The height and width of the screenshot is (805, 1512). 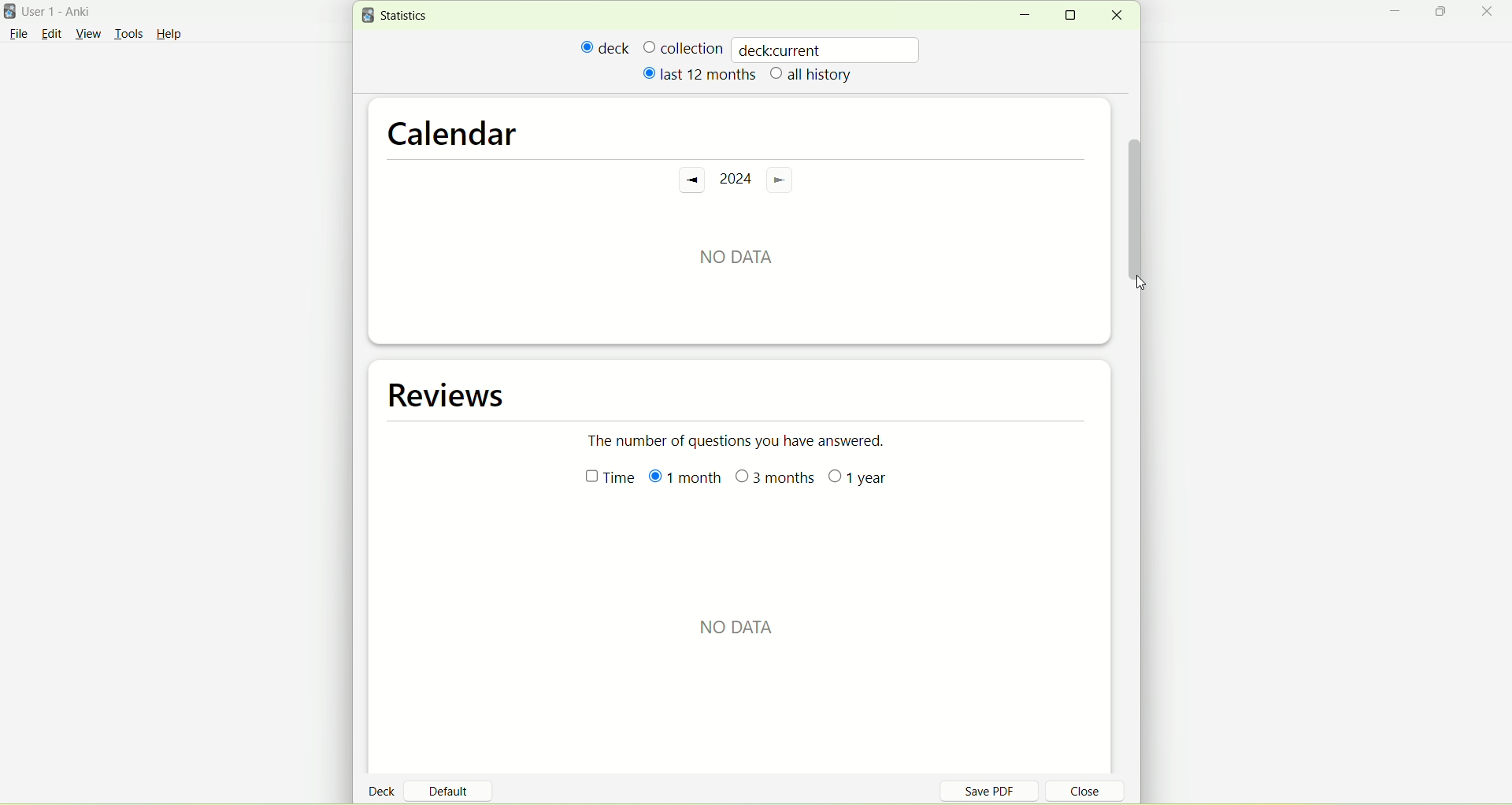 I want to click on last 12 months, so click(x=698, y=73).